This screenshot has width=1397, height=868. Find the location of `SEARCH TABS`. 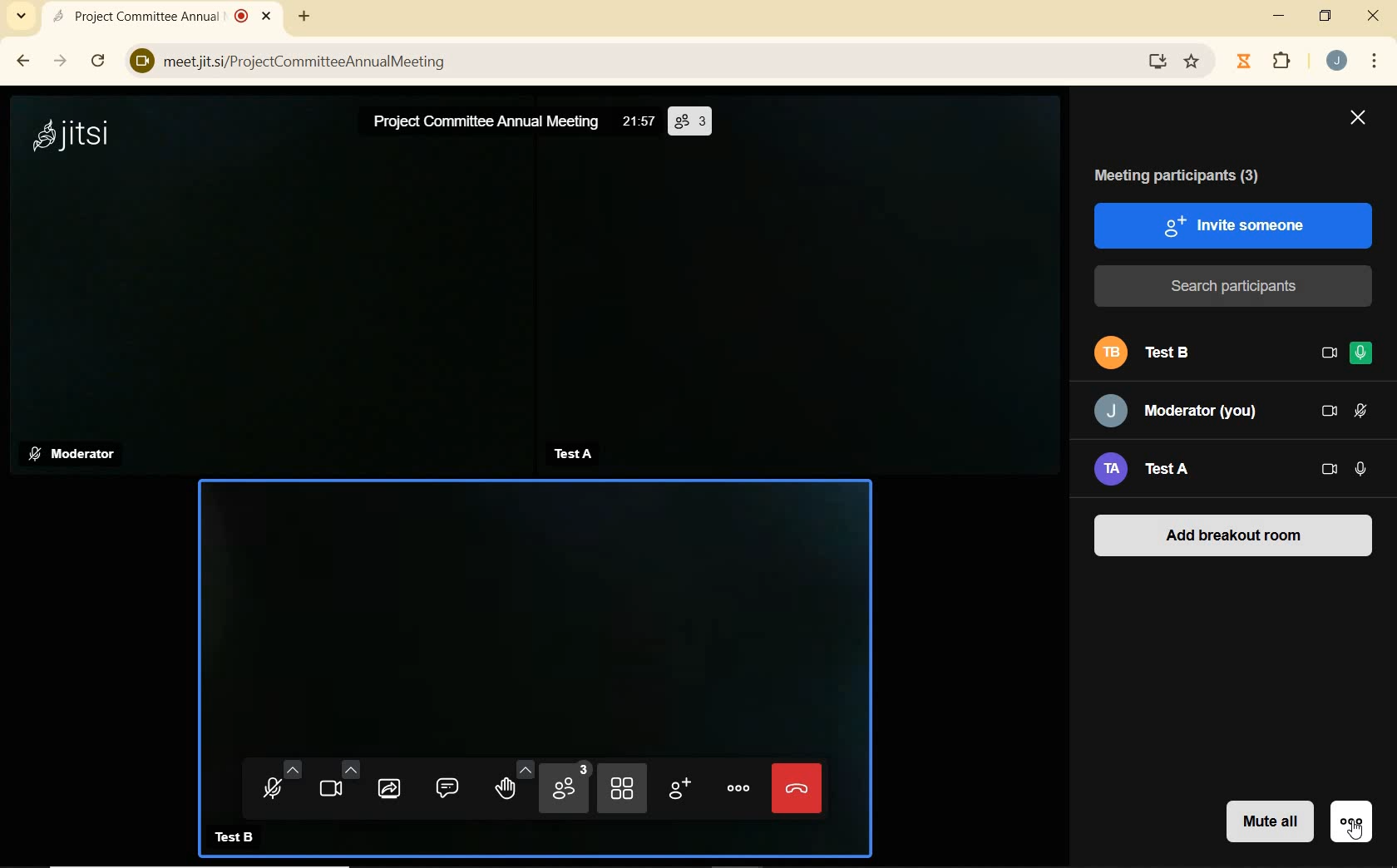

SEARCH TABS is located at coordinates (22, 19).